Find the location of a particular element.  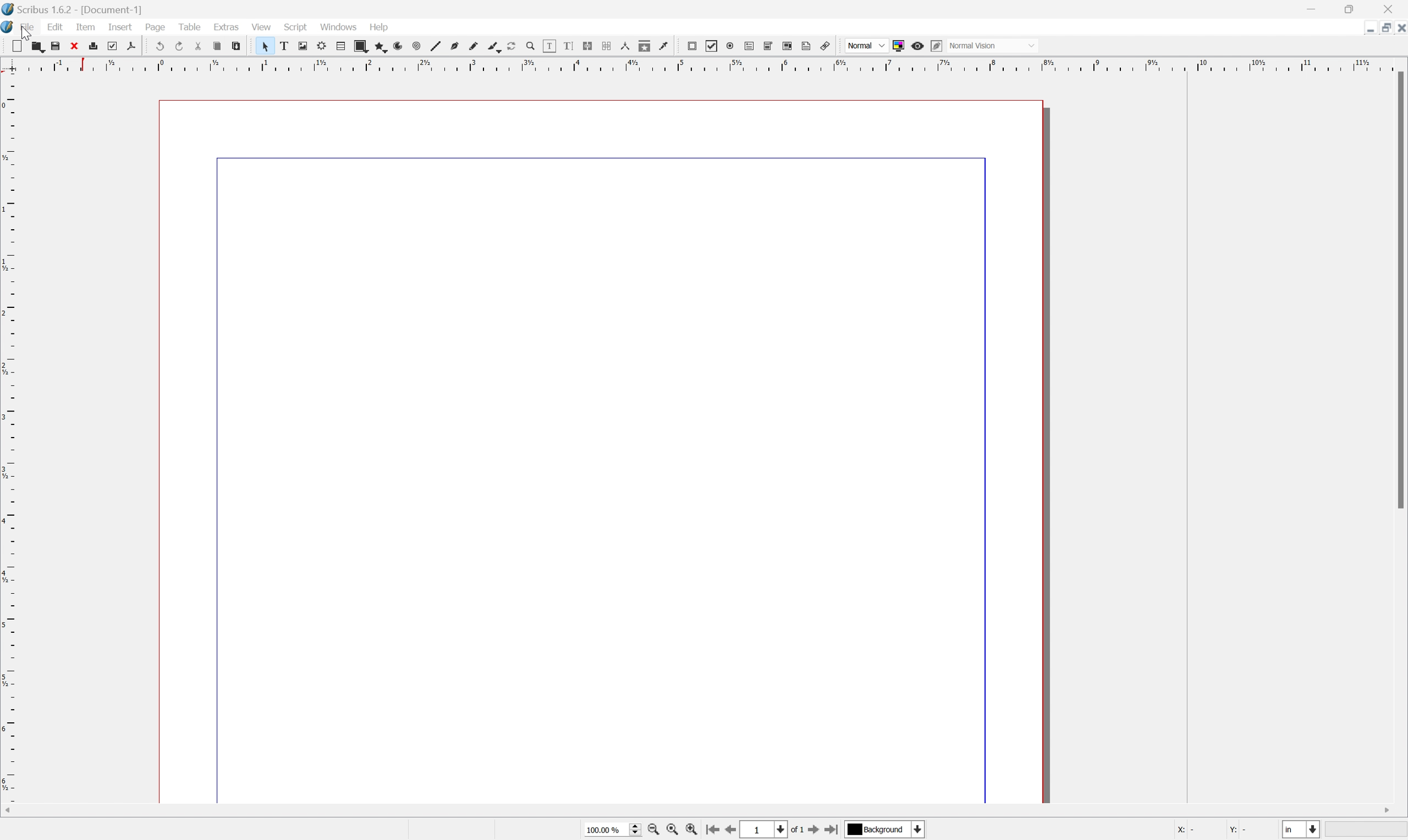

Print is located at coordinates (97, 46).